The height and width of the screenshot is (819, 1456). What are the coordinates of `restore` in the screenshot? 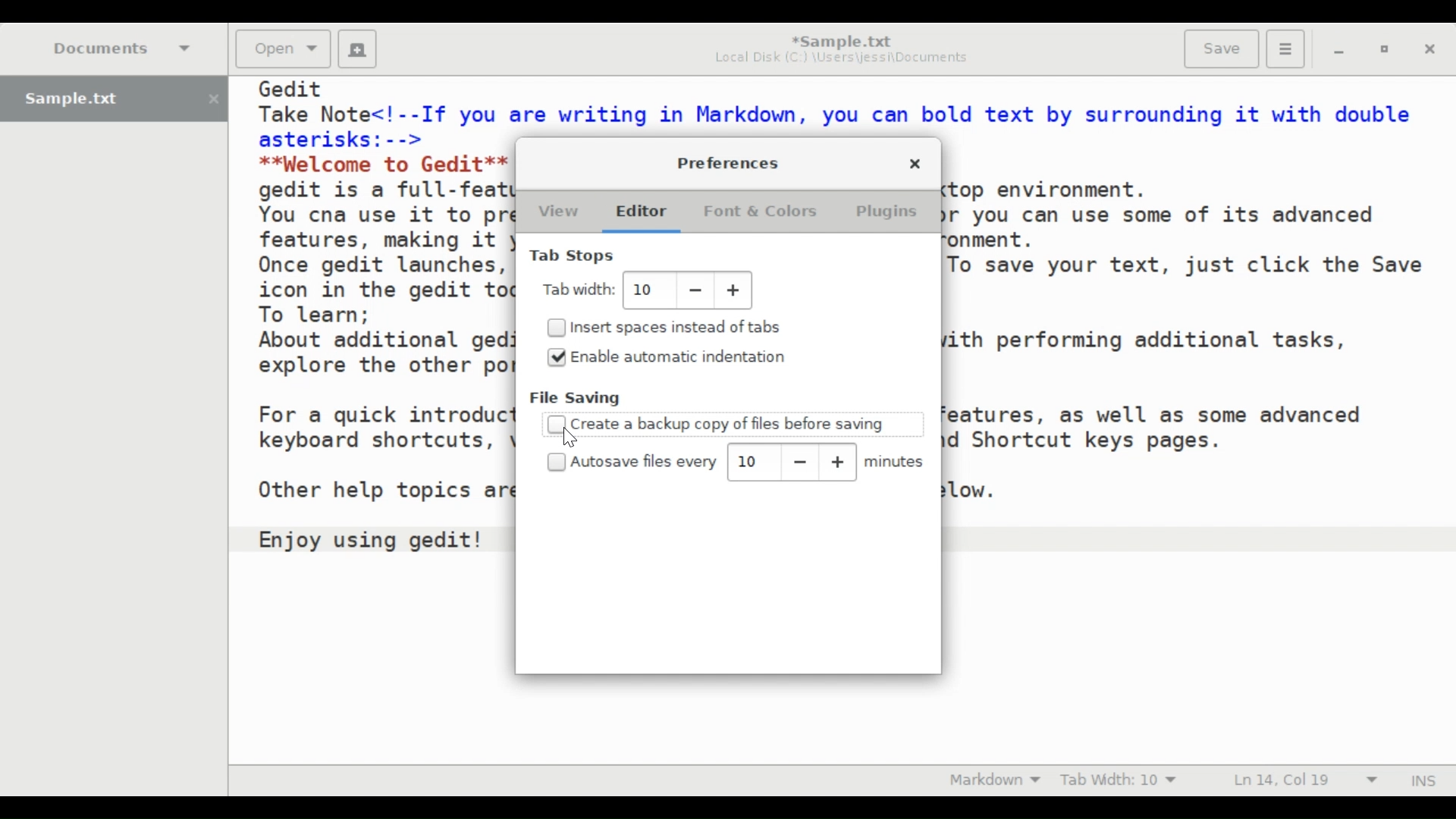 It's located at (1382, 50).